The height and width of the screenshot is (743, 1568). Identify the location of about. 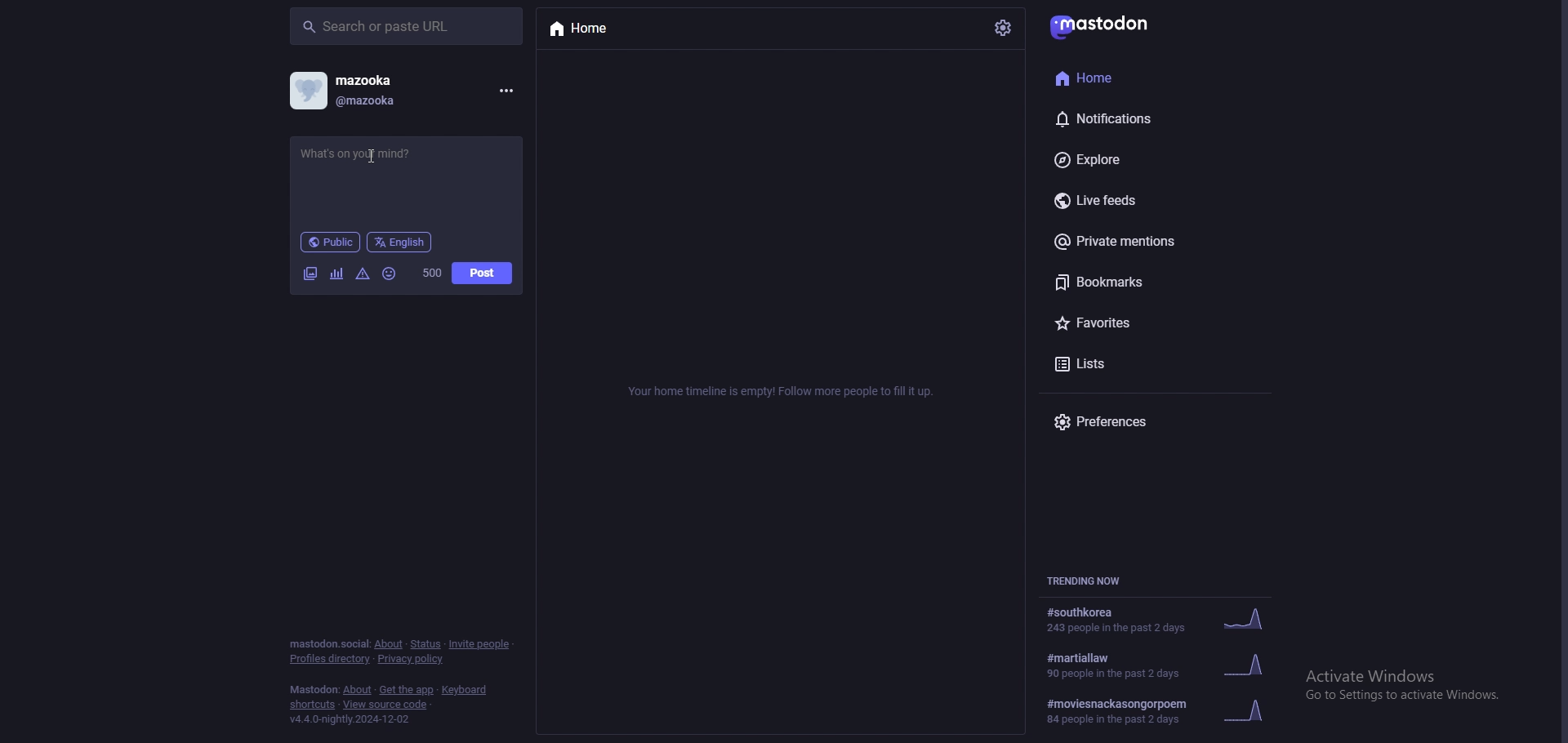
(358, 691).